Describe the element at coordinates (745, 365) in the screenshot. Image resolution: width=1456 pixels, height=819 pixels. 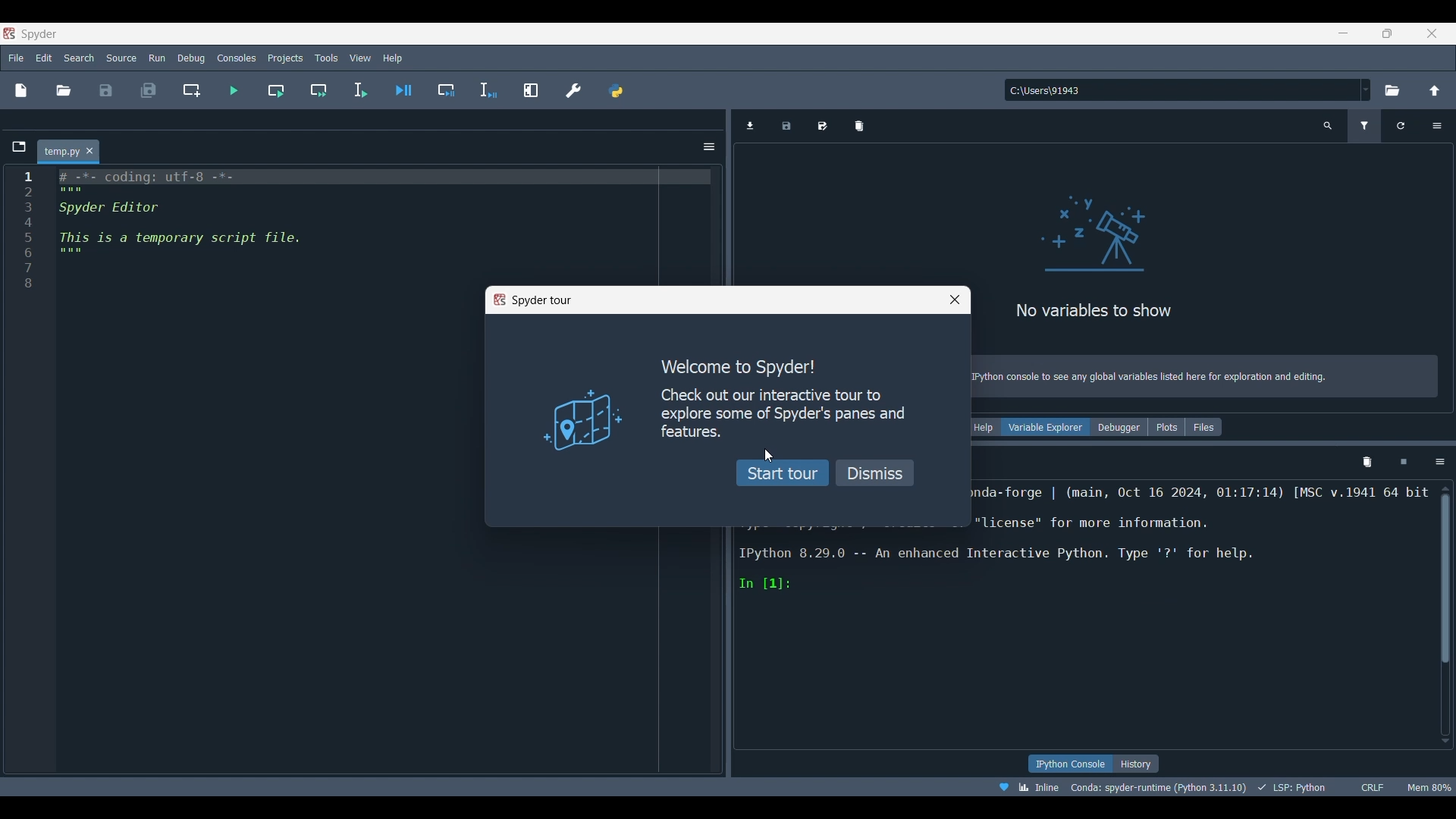
I see `welcome to spyder!` at that location.